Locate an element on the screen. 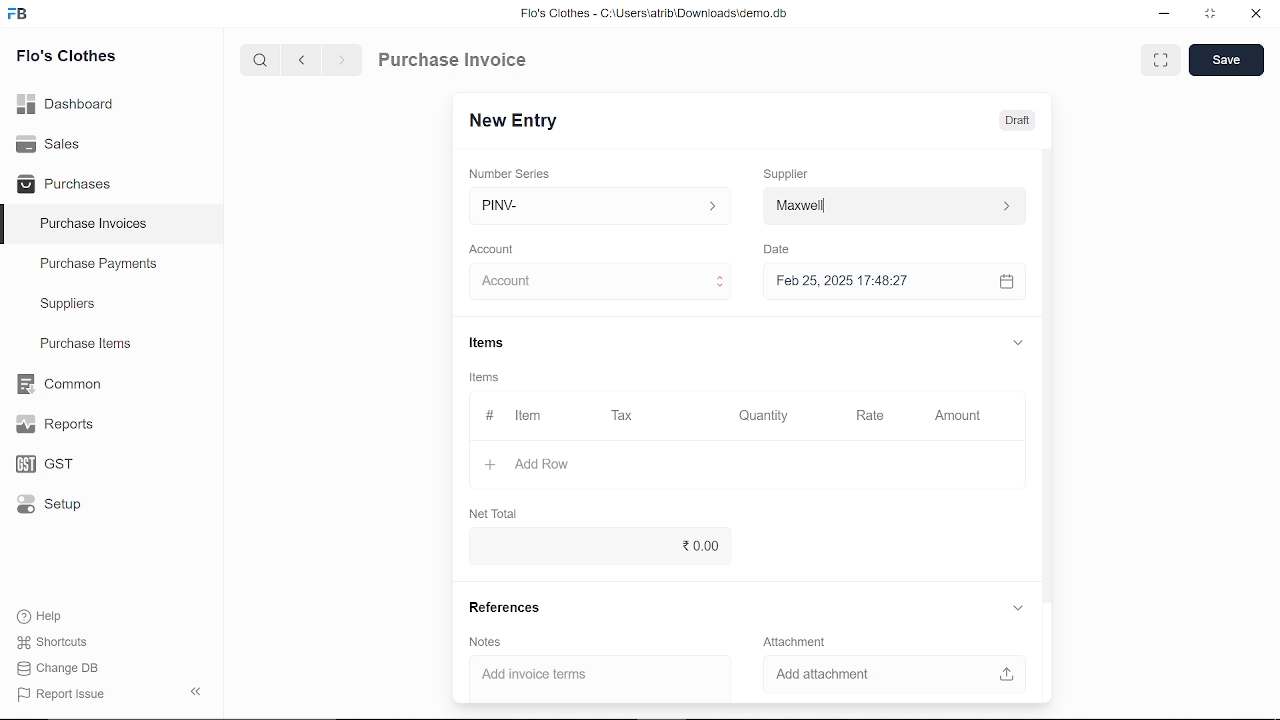  previous is located at coordinates (303, 62).